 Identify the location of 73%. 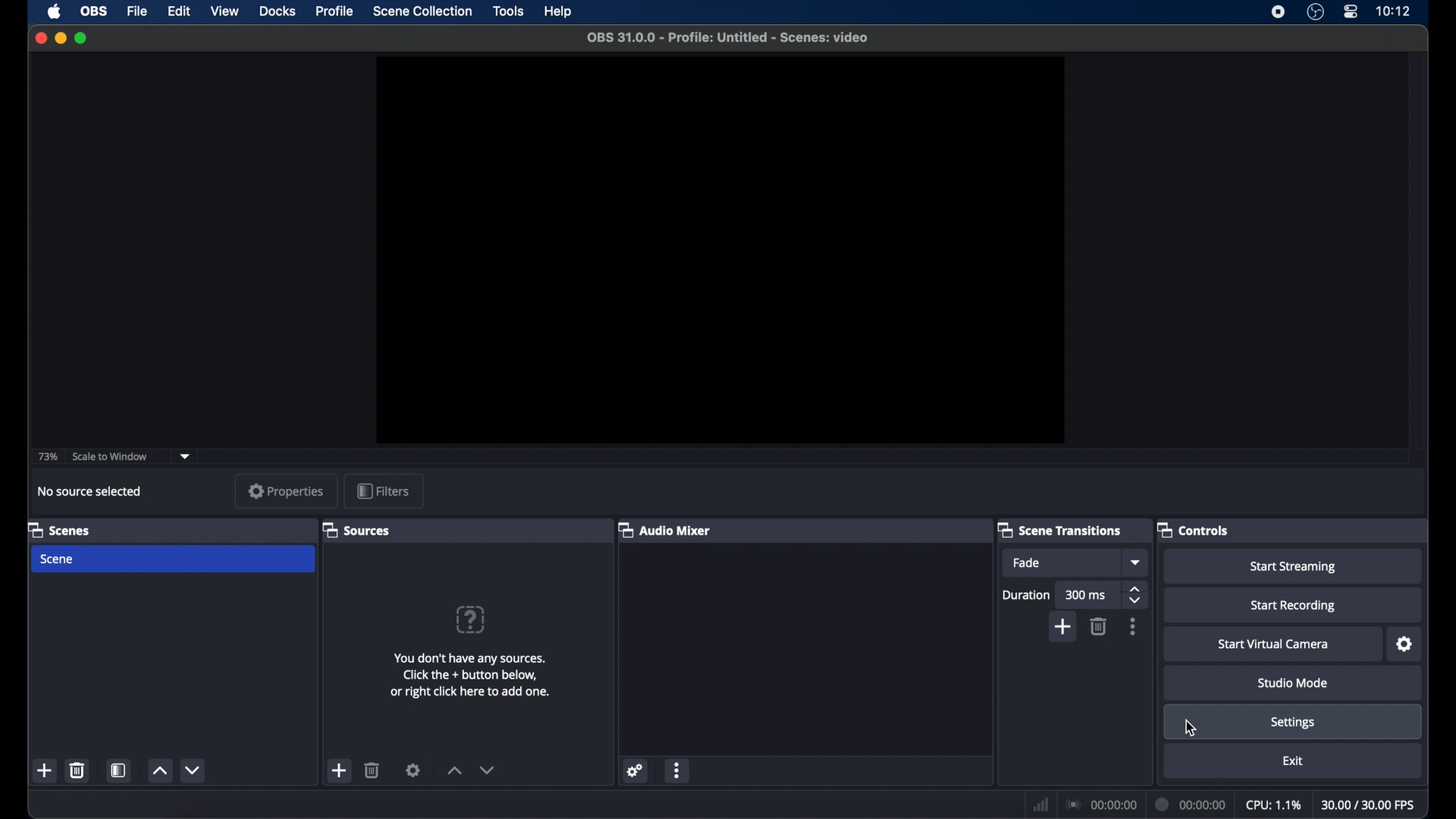
(49, 457).